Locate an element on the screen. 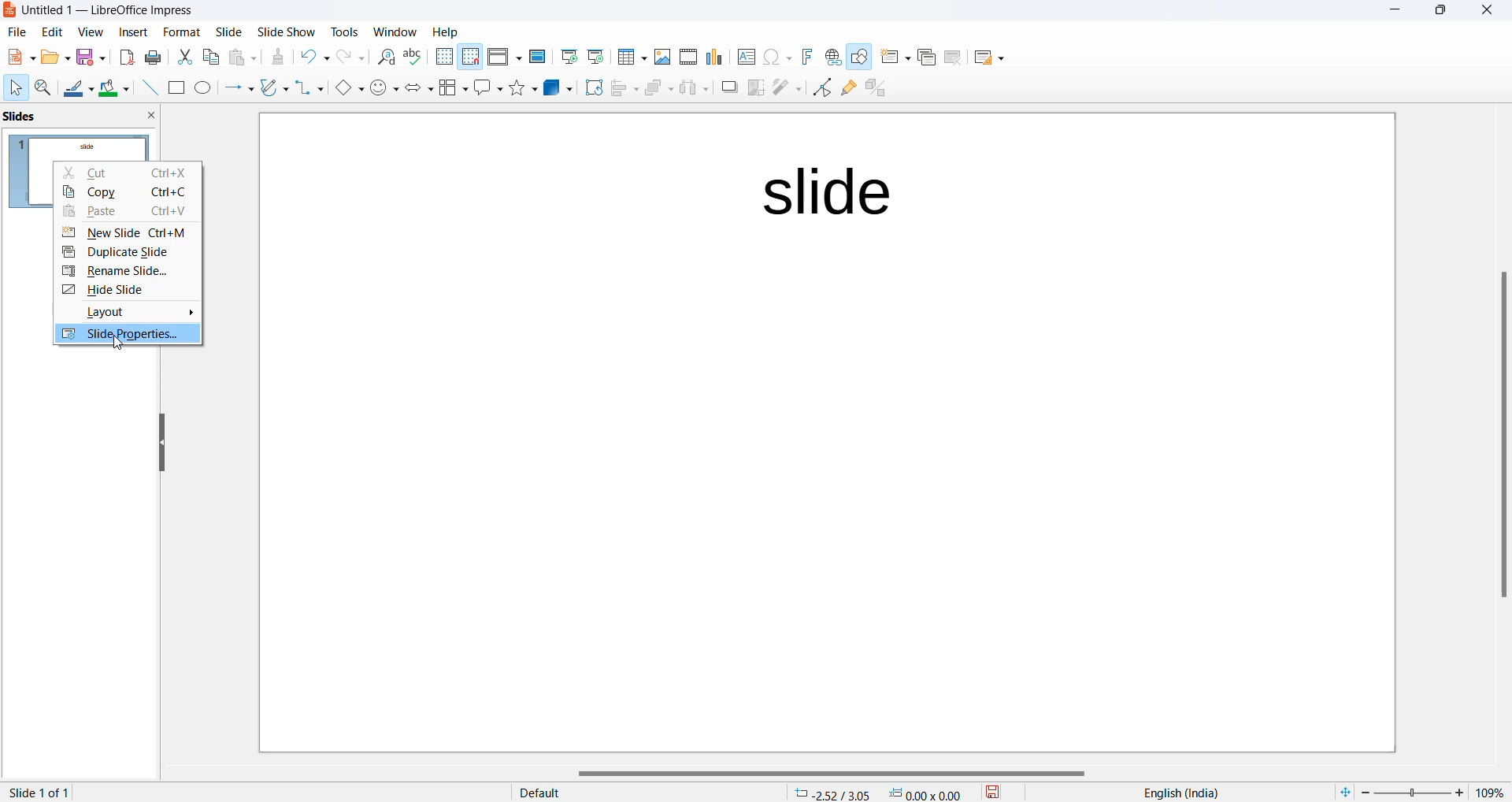 This screenshot has width=1512, height=802. current slide and slide number is located at coordinates (43, 793).